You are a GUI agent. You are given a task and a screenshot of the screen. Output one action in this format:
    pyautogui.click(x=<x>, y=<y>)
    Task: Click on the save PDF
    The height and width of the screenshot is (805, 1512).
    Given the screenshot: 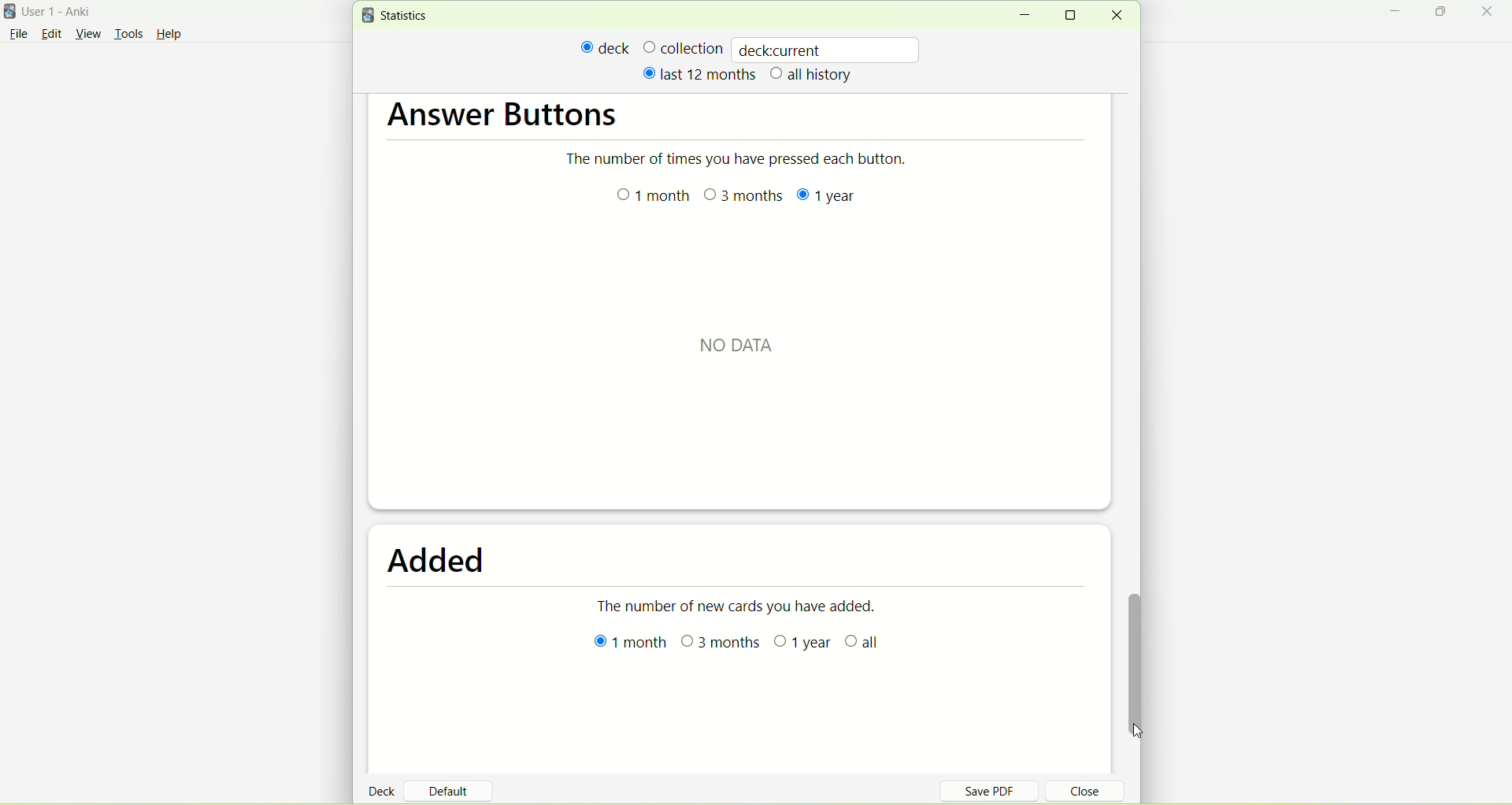 What is the action you would take?
    pyautogui.click(x=999, y=790)
    